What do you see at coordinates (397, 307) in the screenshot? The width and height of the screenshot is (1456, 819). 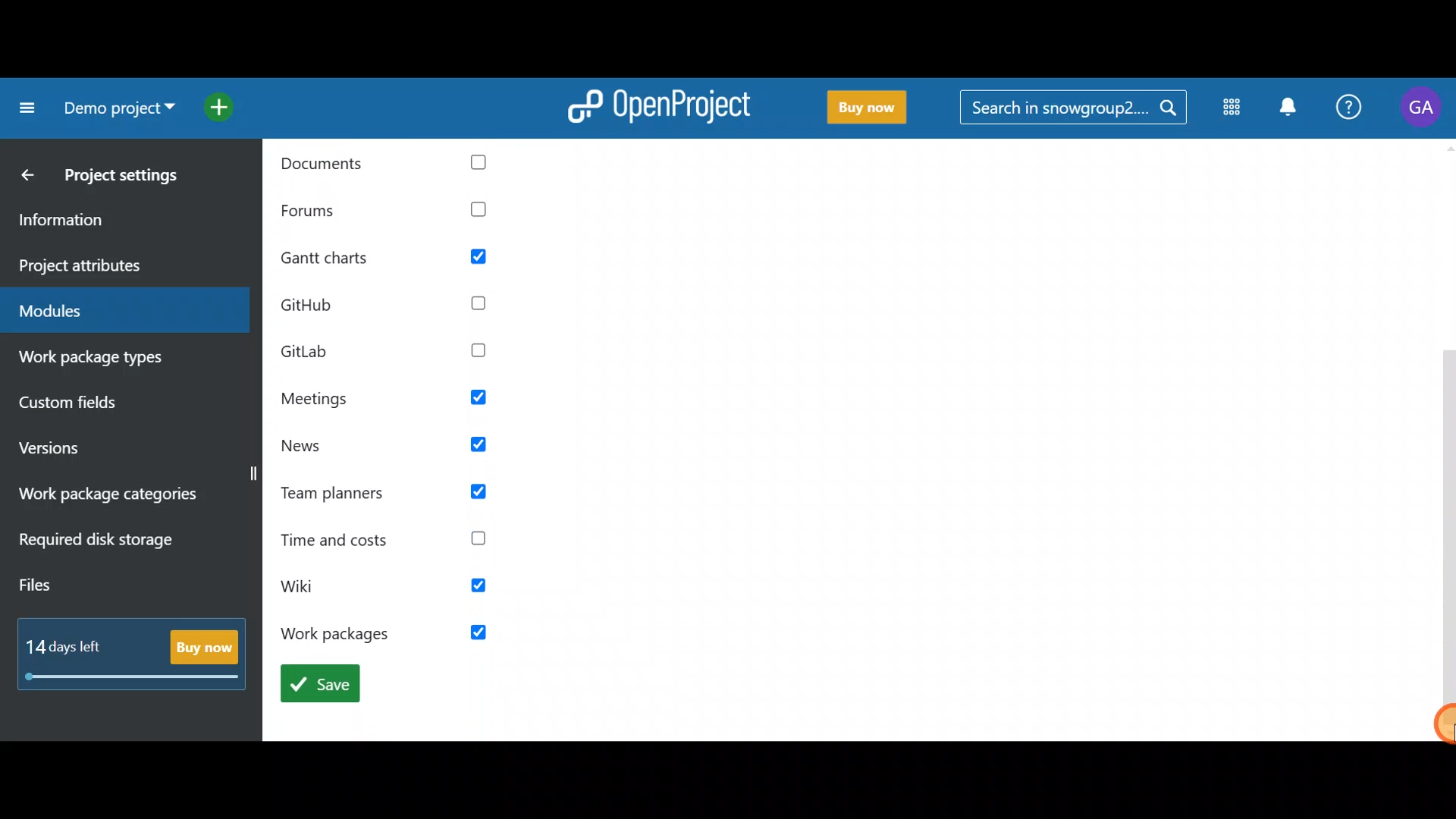 I see `github` at bounding box center [397, 307].